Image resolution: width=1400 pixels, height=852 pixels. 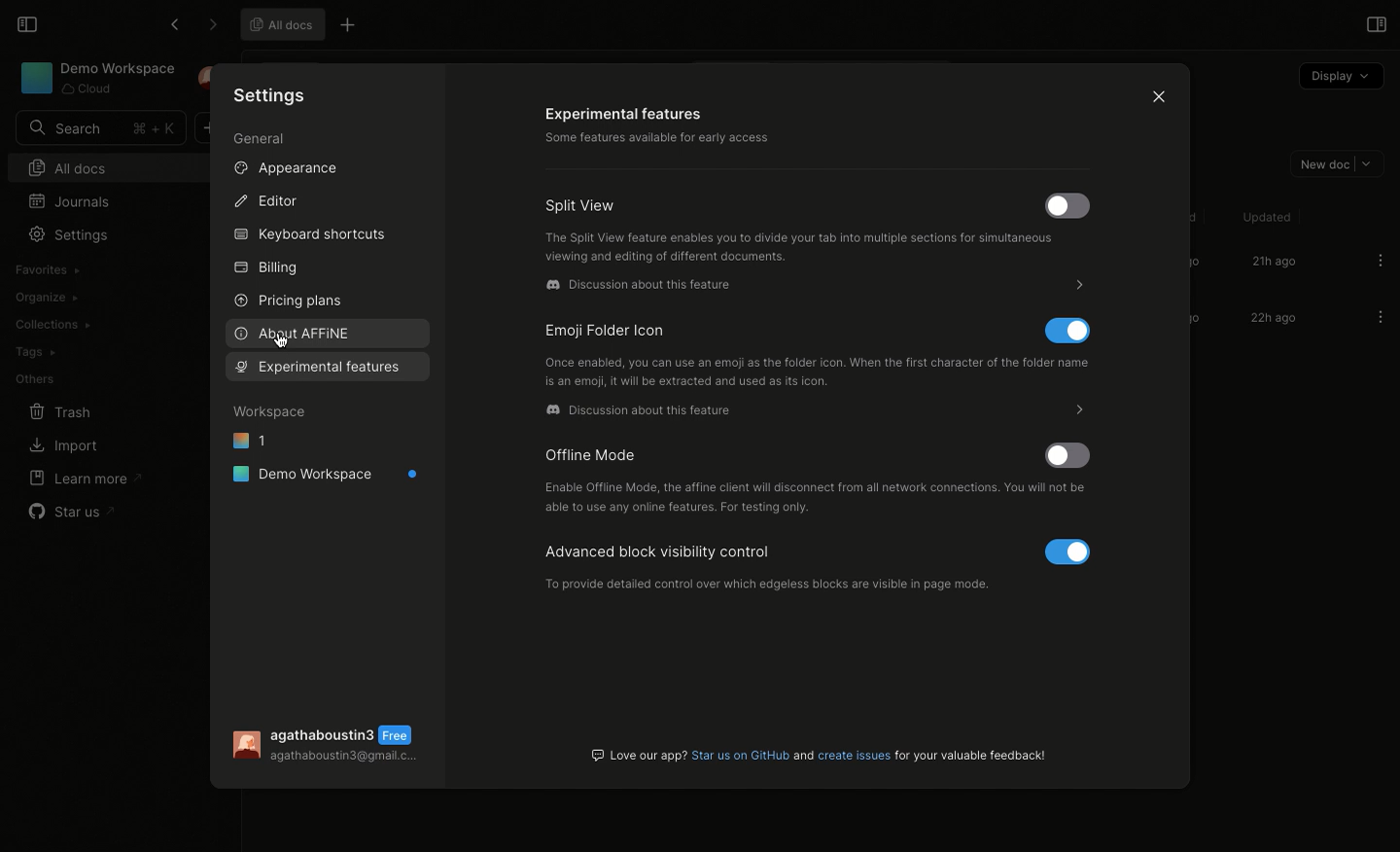 I want to click on Scroll, so click(x=1184, y=319).